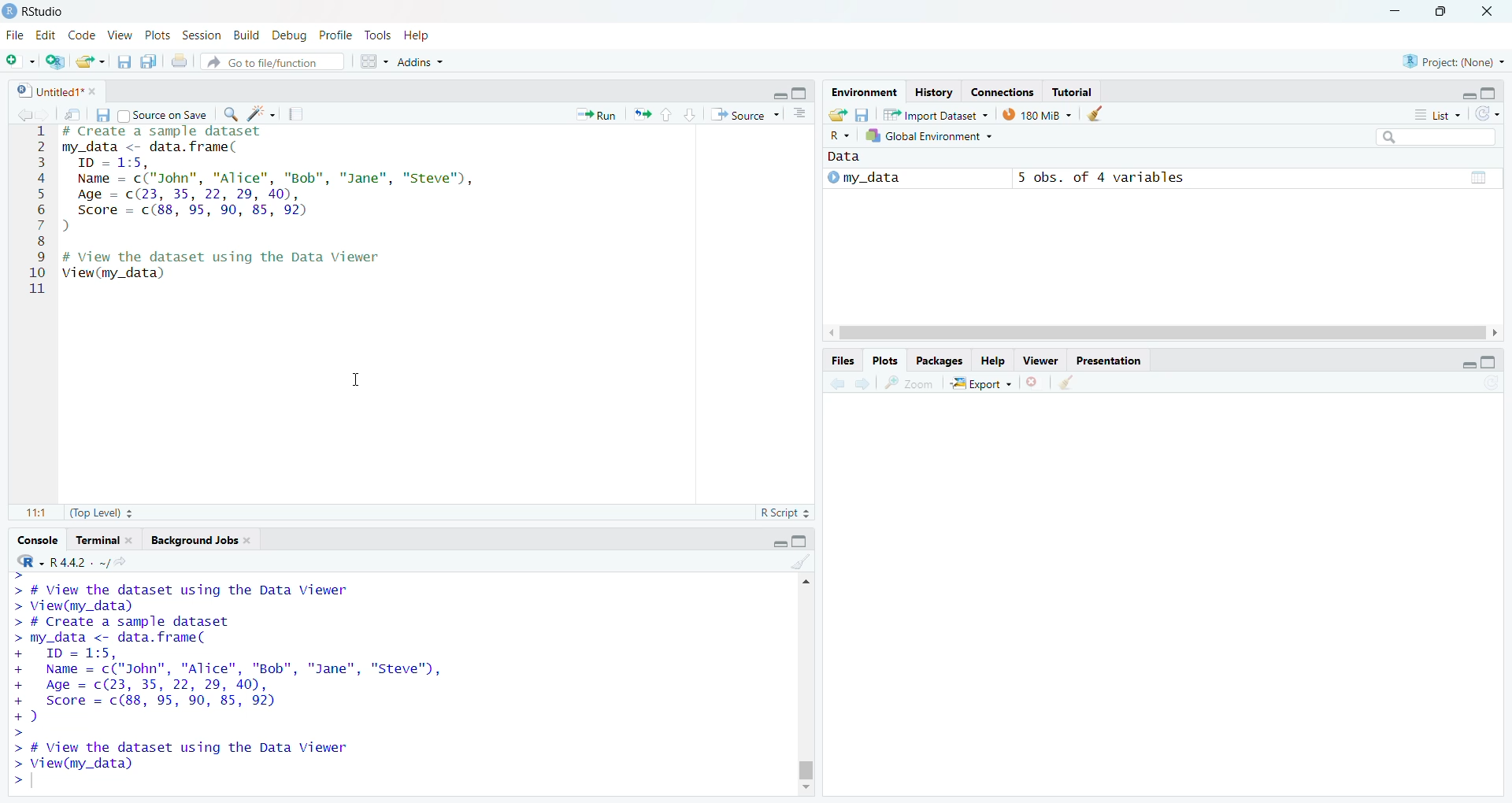  What do you see at coordinates (1393, 12) in the screenshot?
I see `Minimize` at bounding box center [1393, 12].